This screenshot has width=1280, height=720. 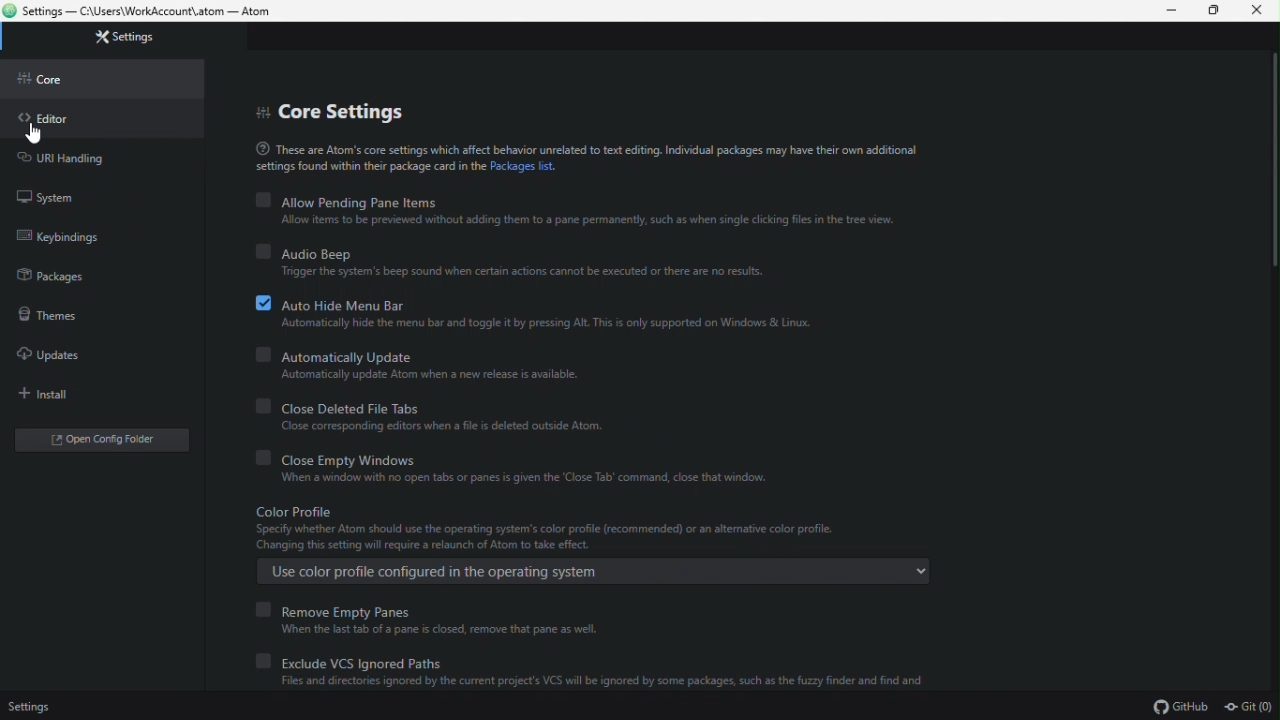 I want to click on Auto hide menu bar, so click(x=546, y=303).